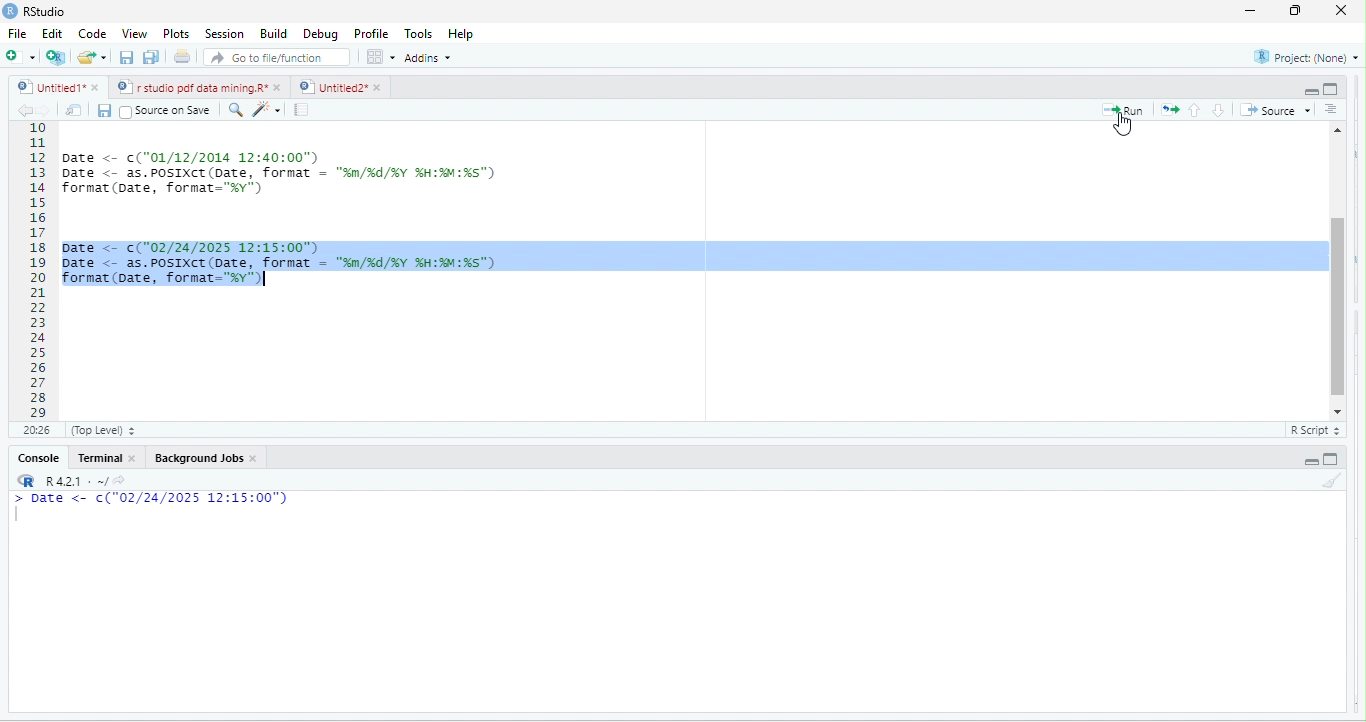 This screenshot has height=722, width=1366. I want to click on close, so click(1336, 10).